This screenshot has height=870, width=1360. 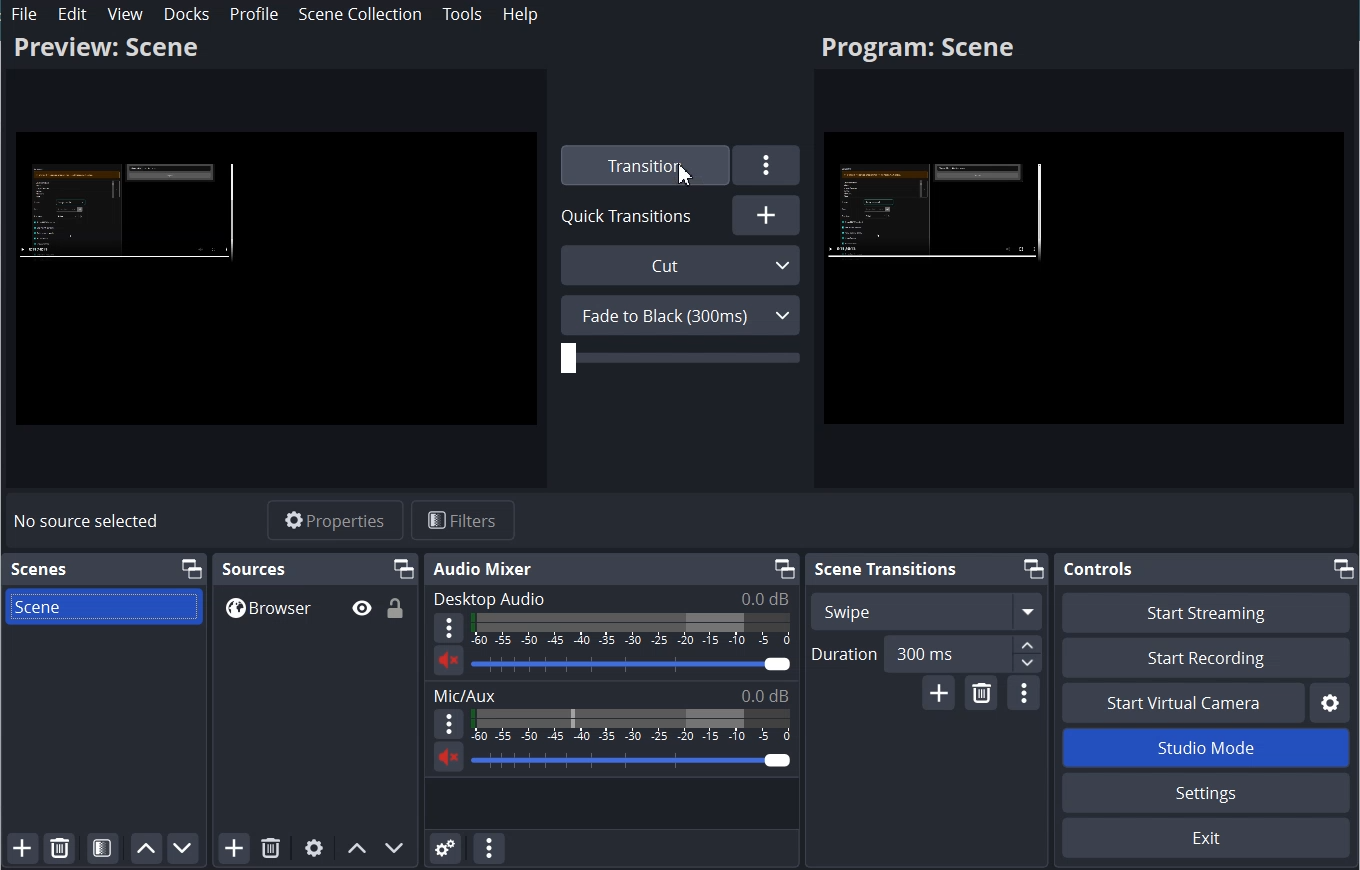 I want to click on Maximize, so click(x=1034, y=569).